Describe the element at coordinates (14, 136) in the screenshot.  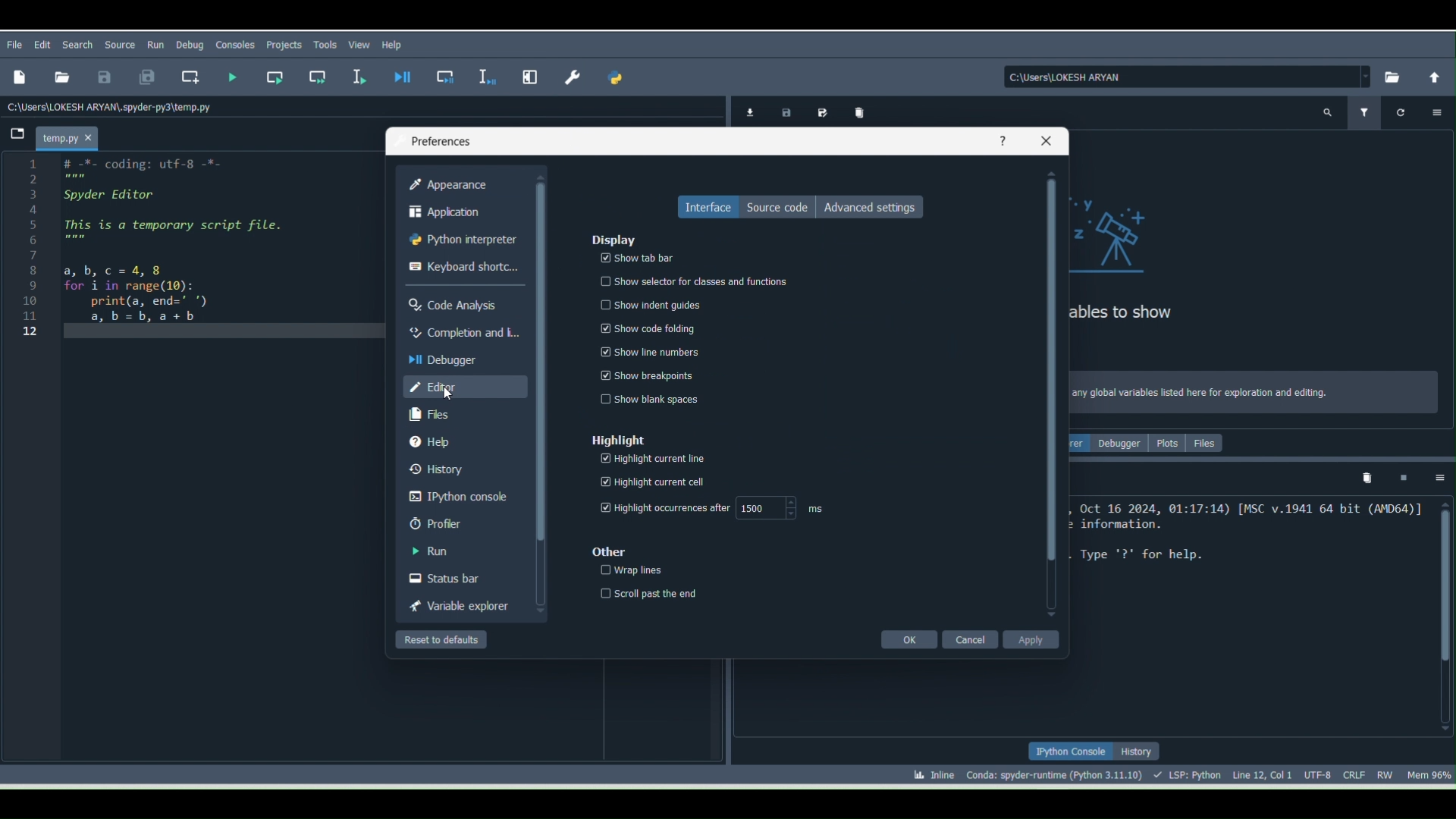
I see `Browse tabs` at that location.